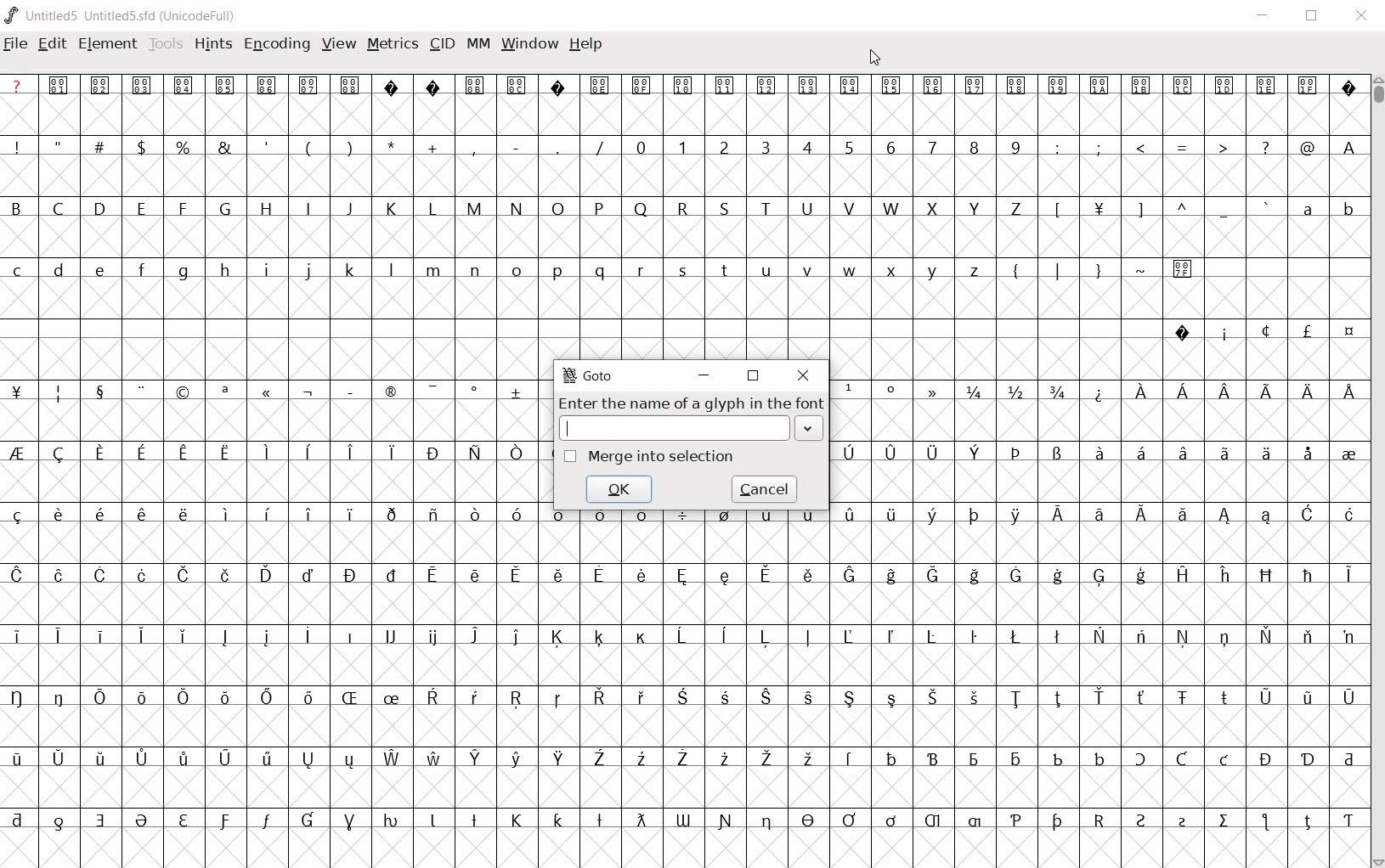  What do you see at coordinates (600, 86) in the screenshot?
I see `Symbol` at bounding box center [600, 86].